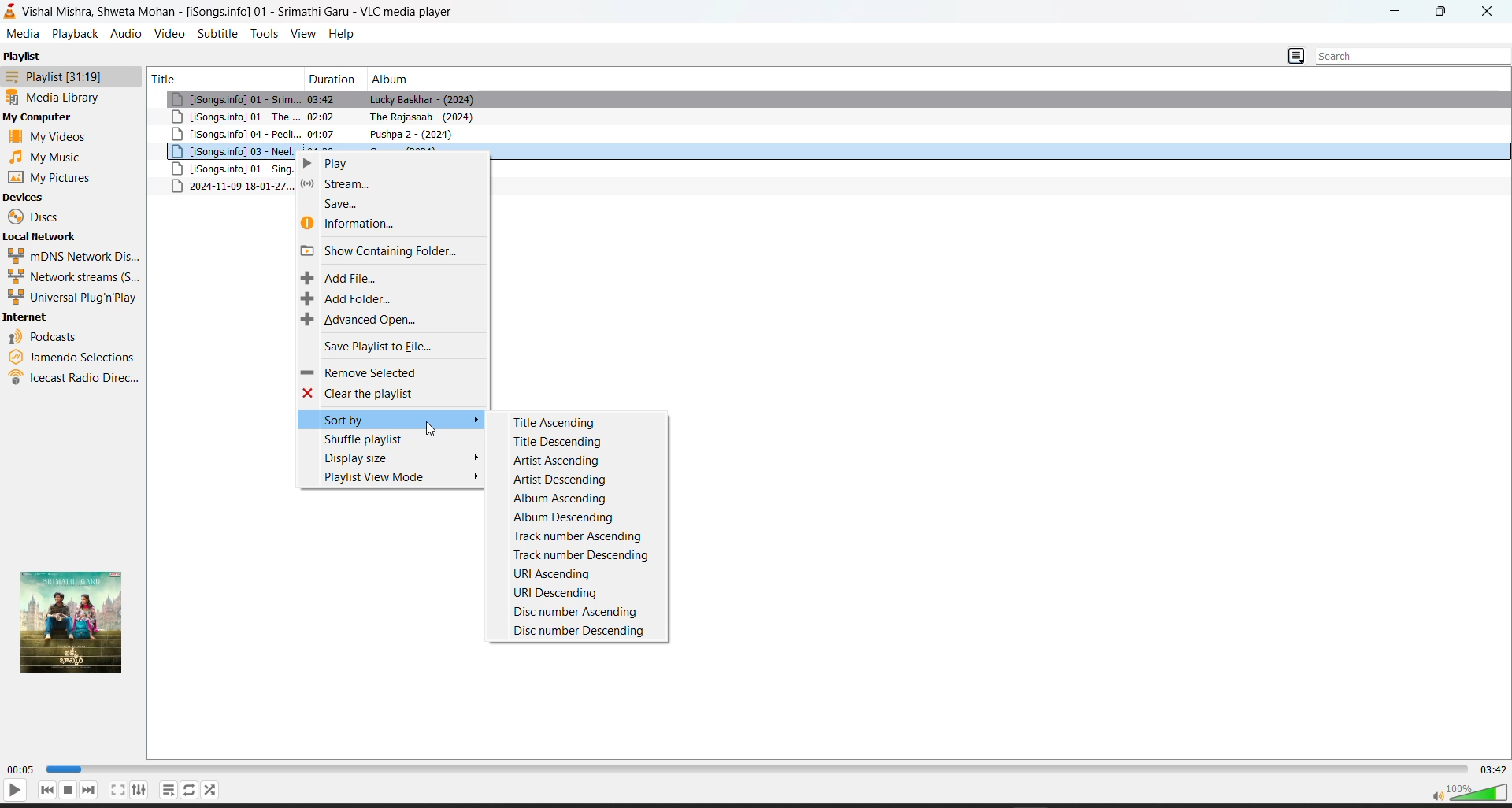  Describe the element at coordinates (24, 55) in the screenshot. I see `playlist` at that location.